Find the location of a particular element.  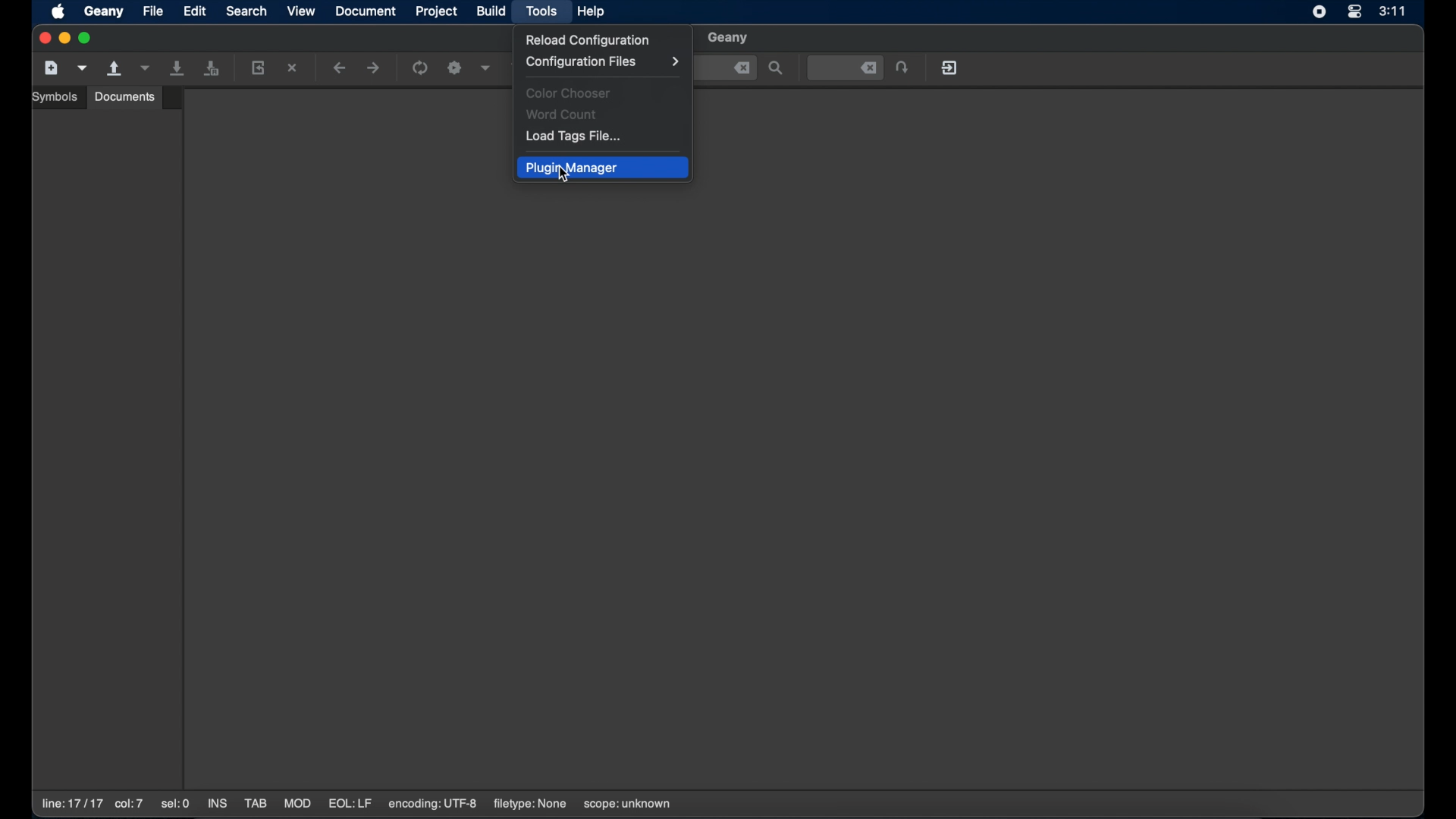

maximize is located at coordinates (87, 38).